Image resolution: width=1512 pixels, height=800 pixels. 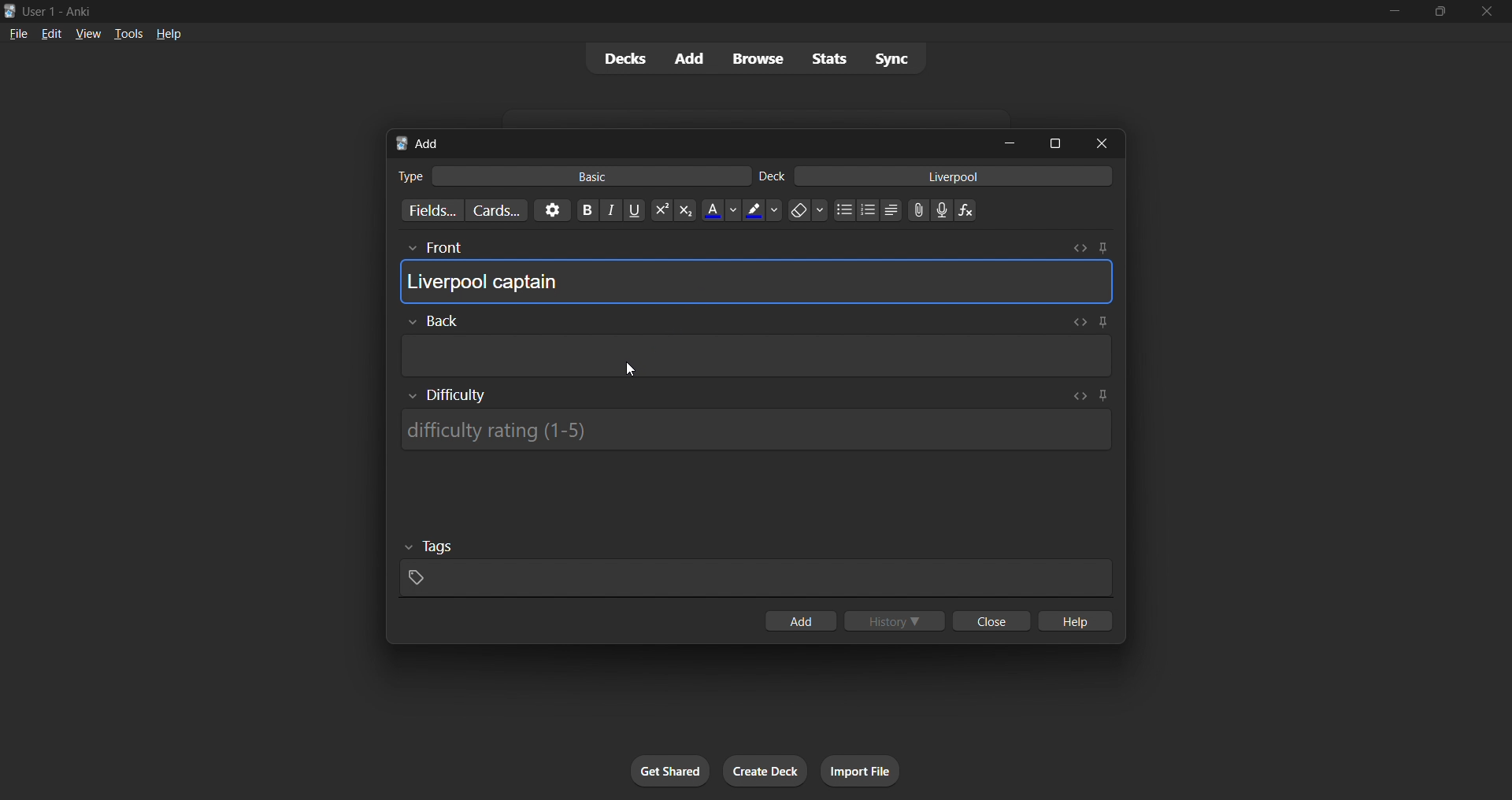 What do you see at coordinates (428, 143) in the screenshot?
I see `add title bar` at bounding box center [428, 143].